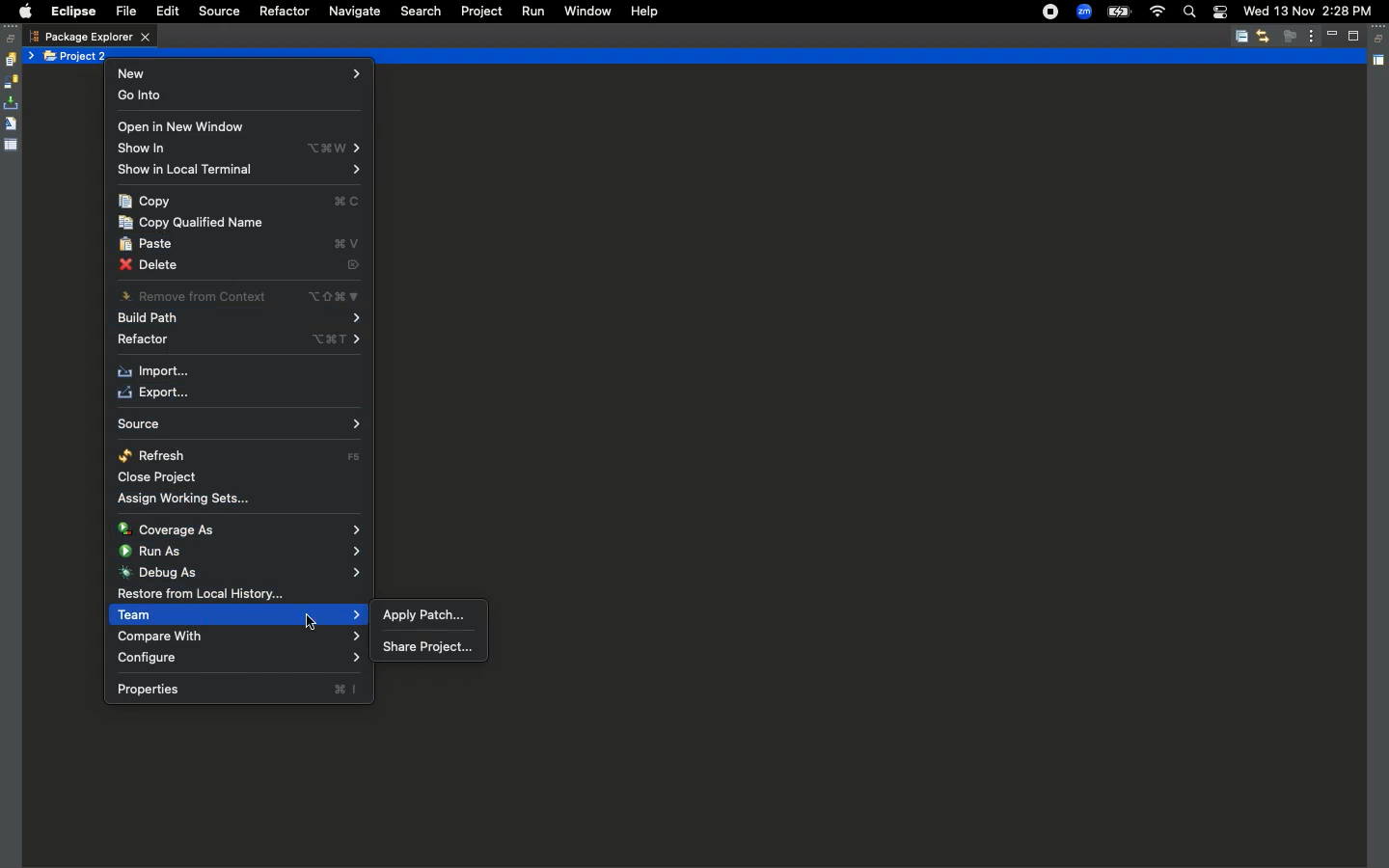 The width and height of the screenshot is (1389, 868). Describe the element at coordinates (124, 13) in the screenshot. I see `File` at that location.